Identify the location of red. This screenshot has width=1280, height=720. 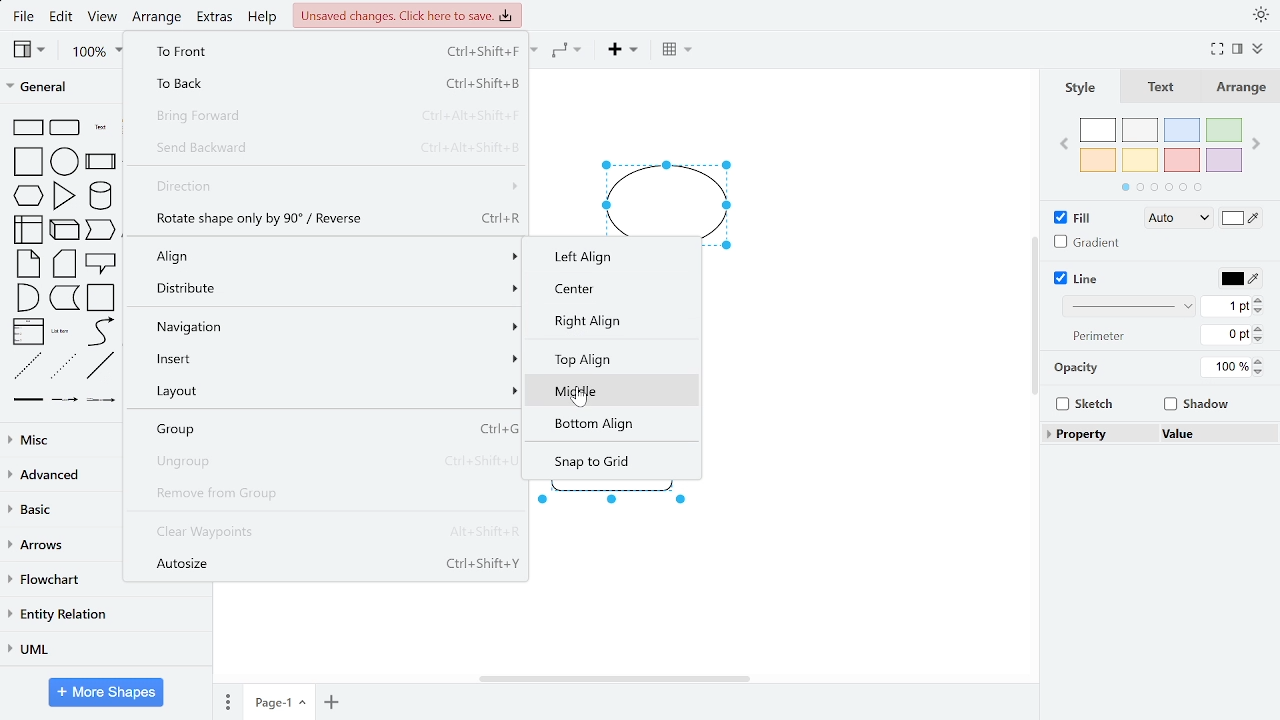
(1182, 160).